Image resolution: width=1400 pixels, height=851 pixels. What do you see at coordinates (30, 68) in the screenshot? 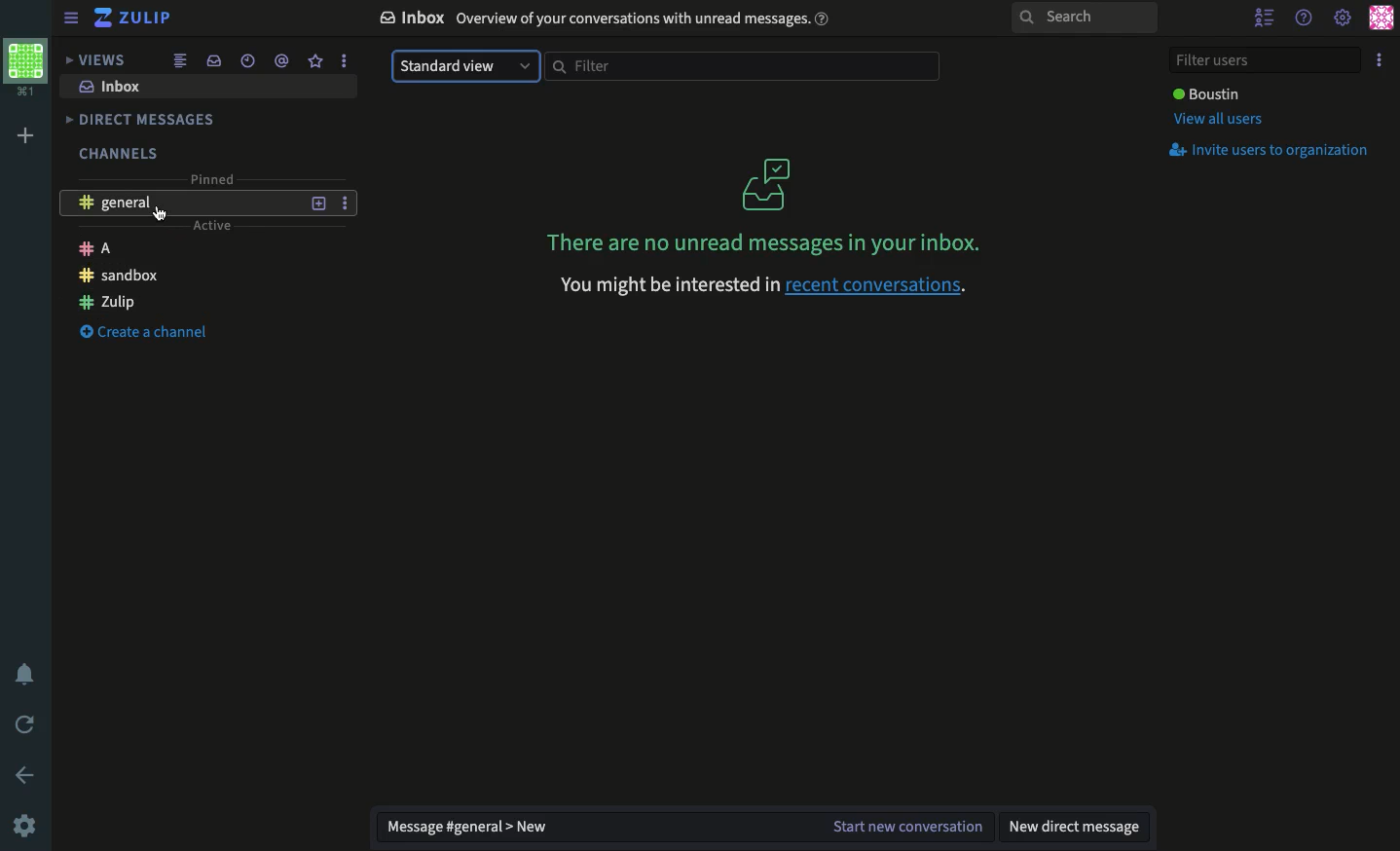
I see `Workspace profile` at bounding box center [30, 68].